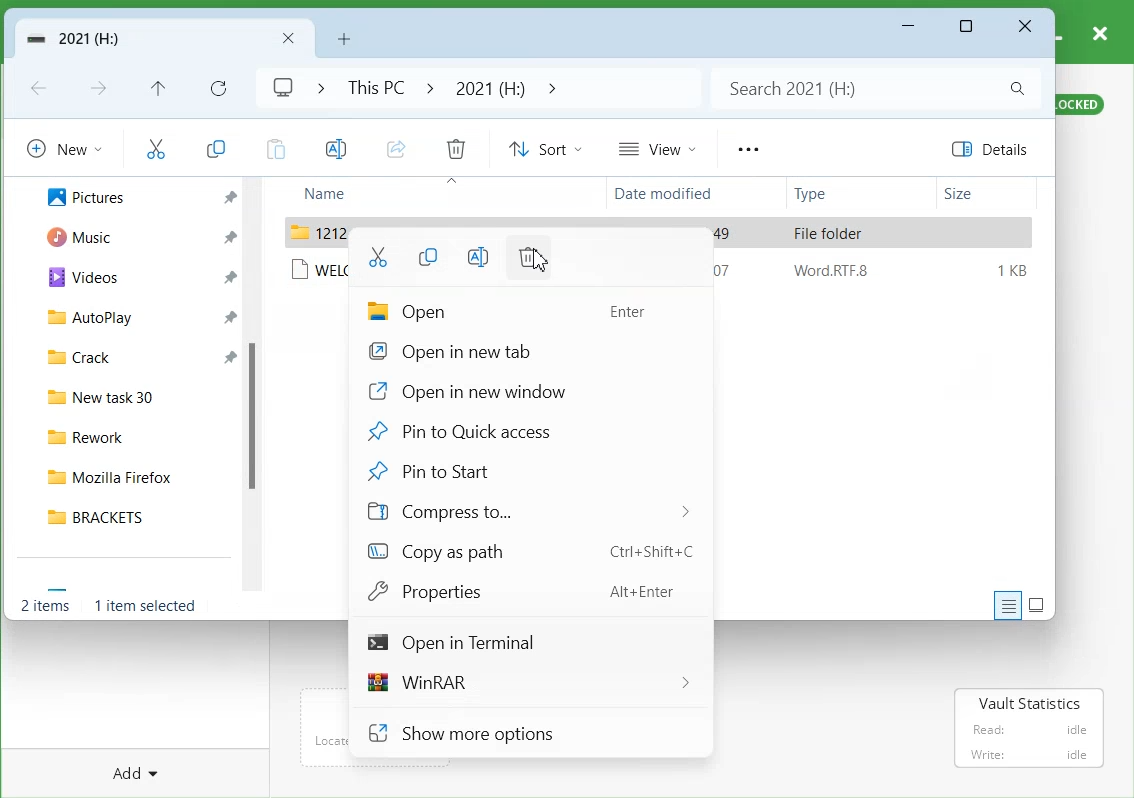  What do you see at coordinates (47, 604) in the screenshot?
I see `Text` at bounding box center [47, 604].